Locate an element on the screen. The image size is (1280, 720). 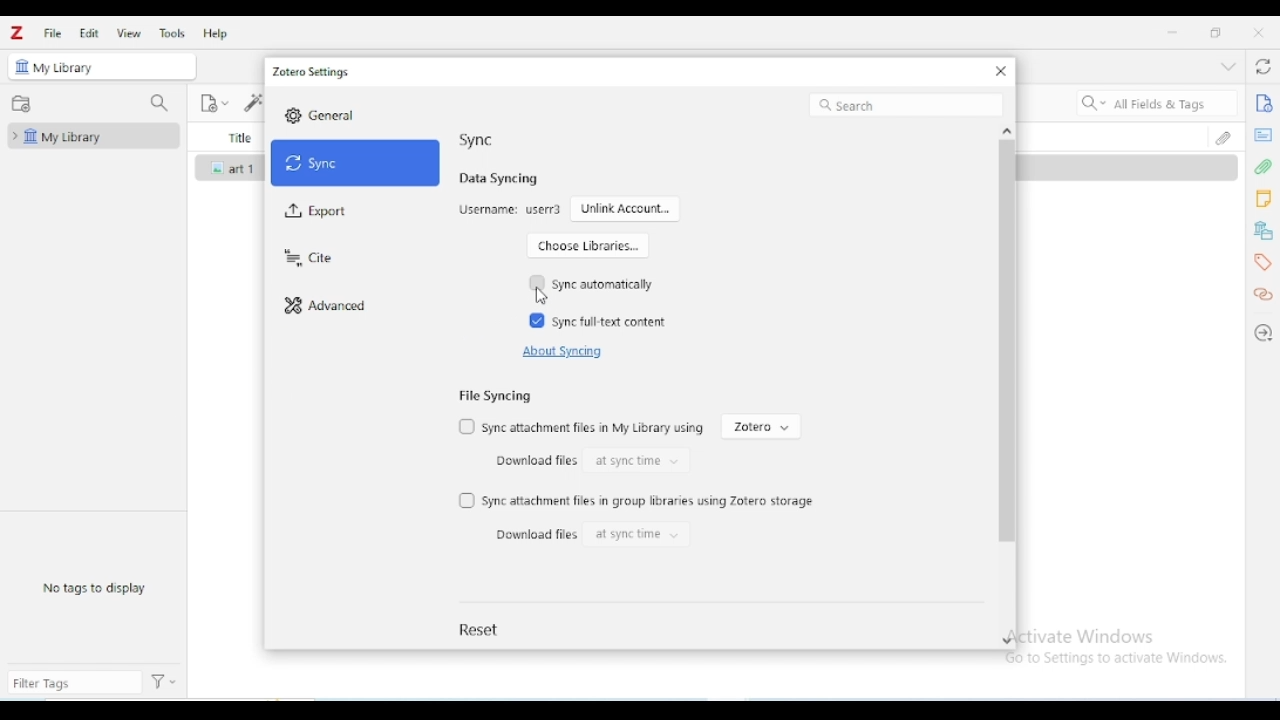
advanced is located at coordinates (326, 307).